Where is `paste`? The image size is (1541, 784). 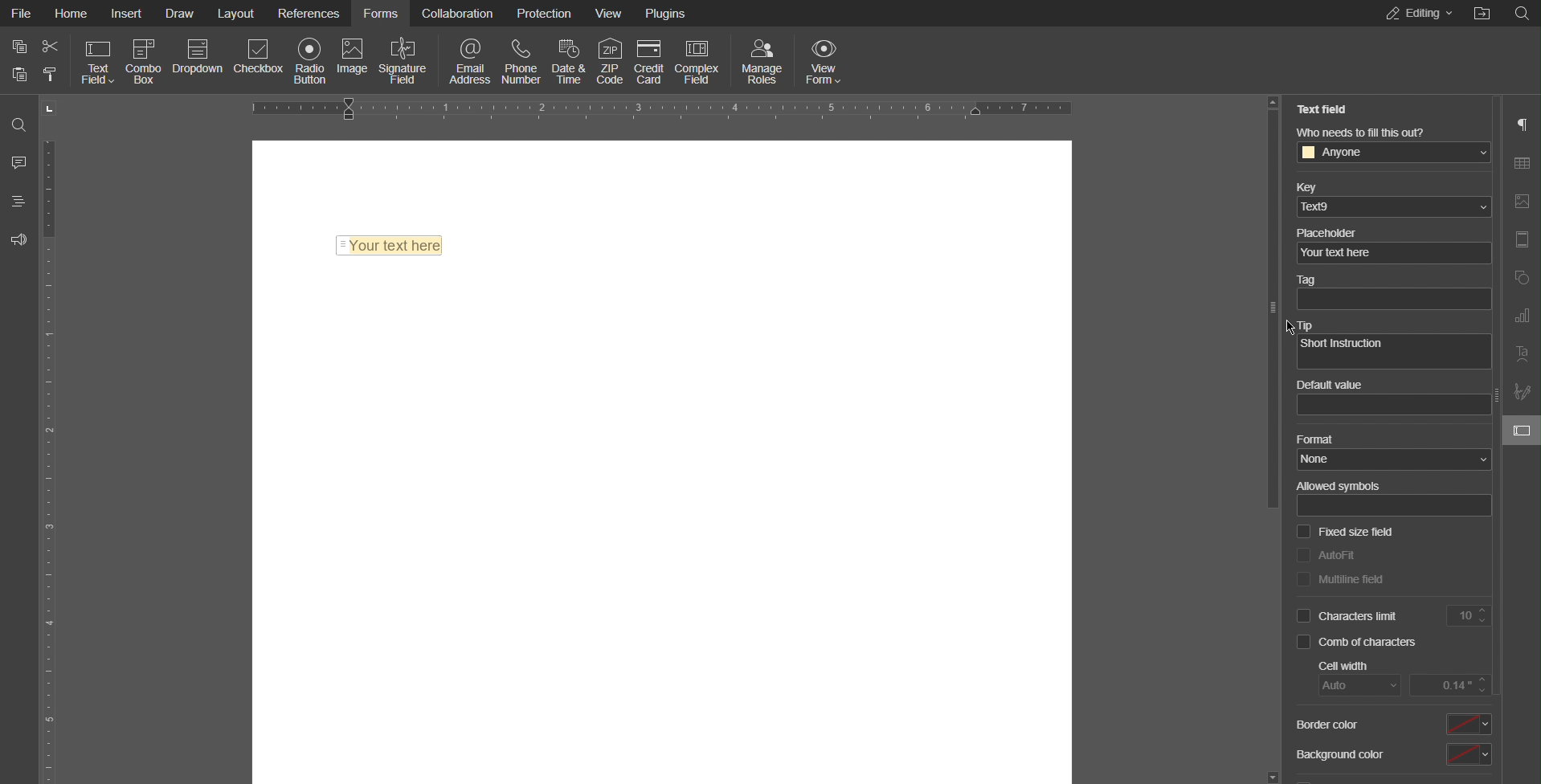 paste is located at coordinates (21, 75).